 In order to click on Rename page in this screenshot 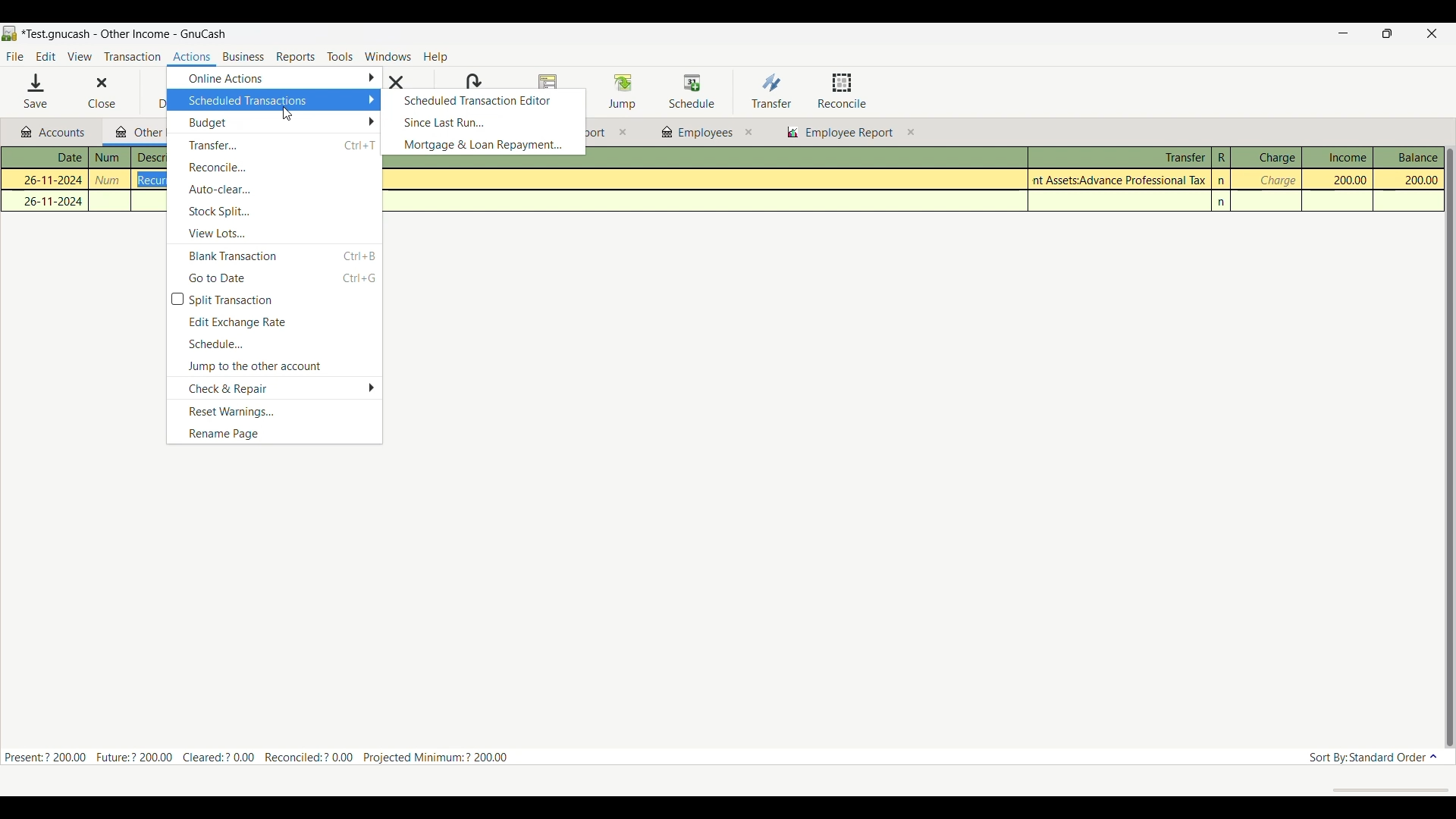, I will do `click(274, 434)`.